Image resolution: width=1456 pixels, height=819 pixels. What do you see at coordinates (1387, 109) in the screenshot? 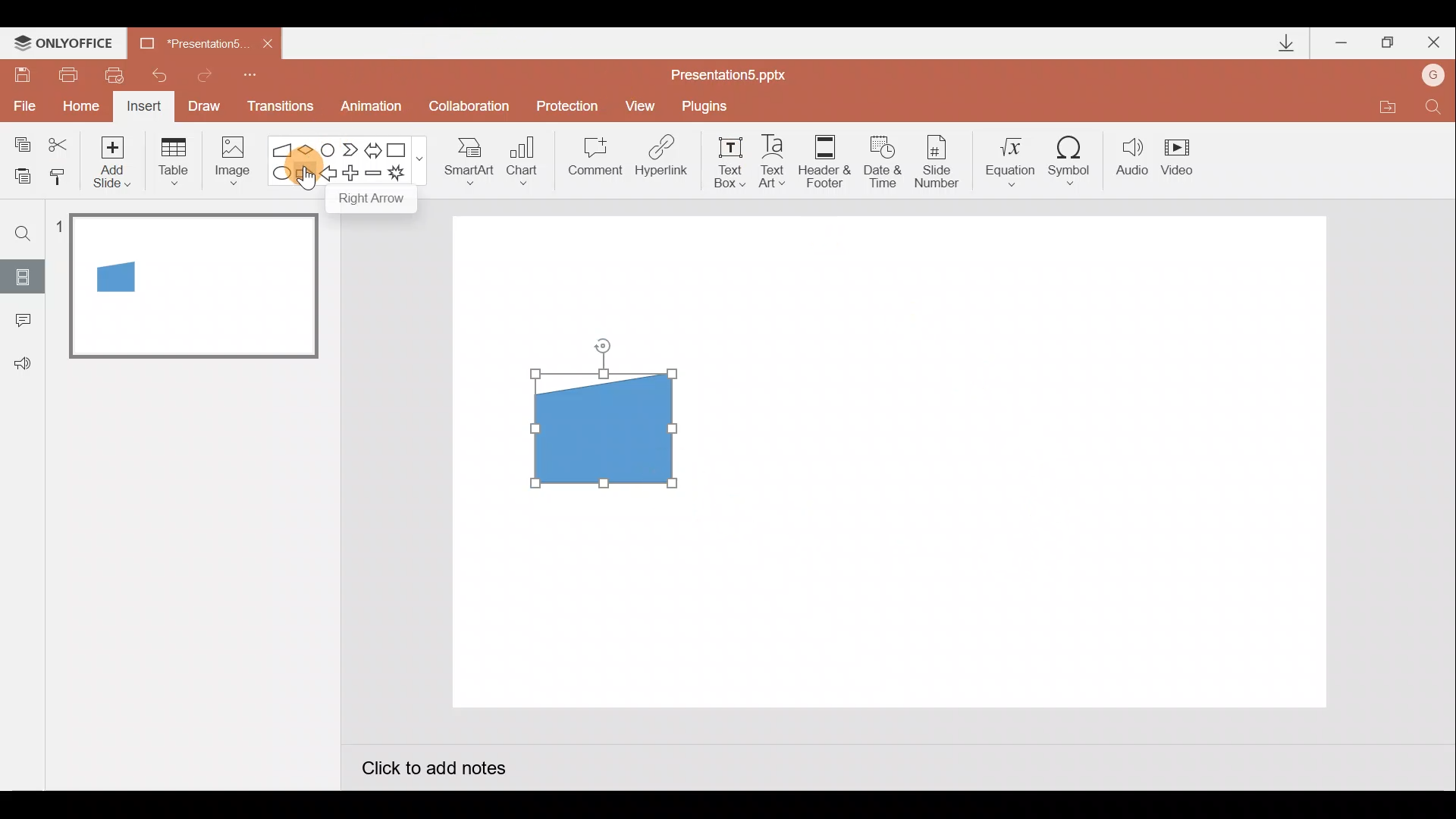
I see `Open file location` at bounding box center [1387, 109].